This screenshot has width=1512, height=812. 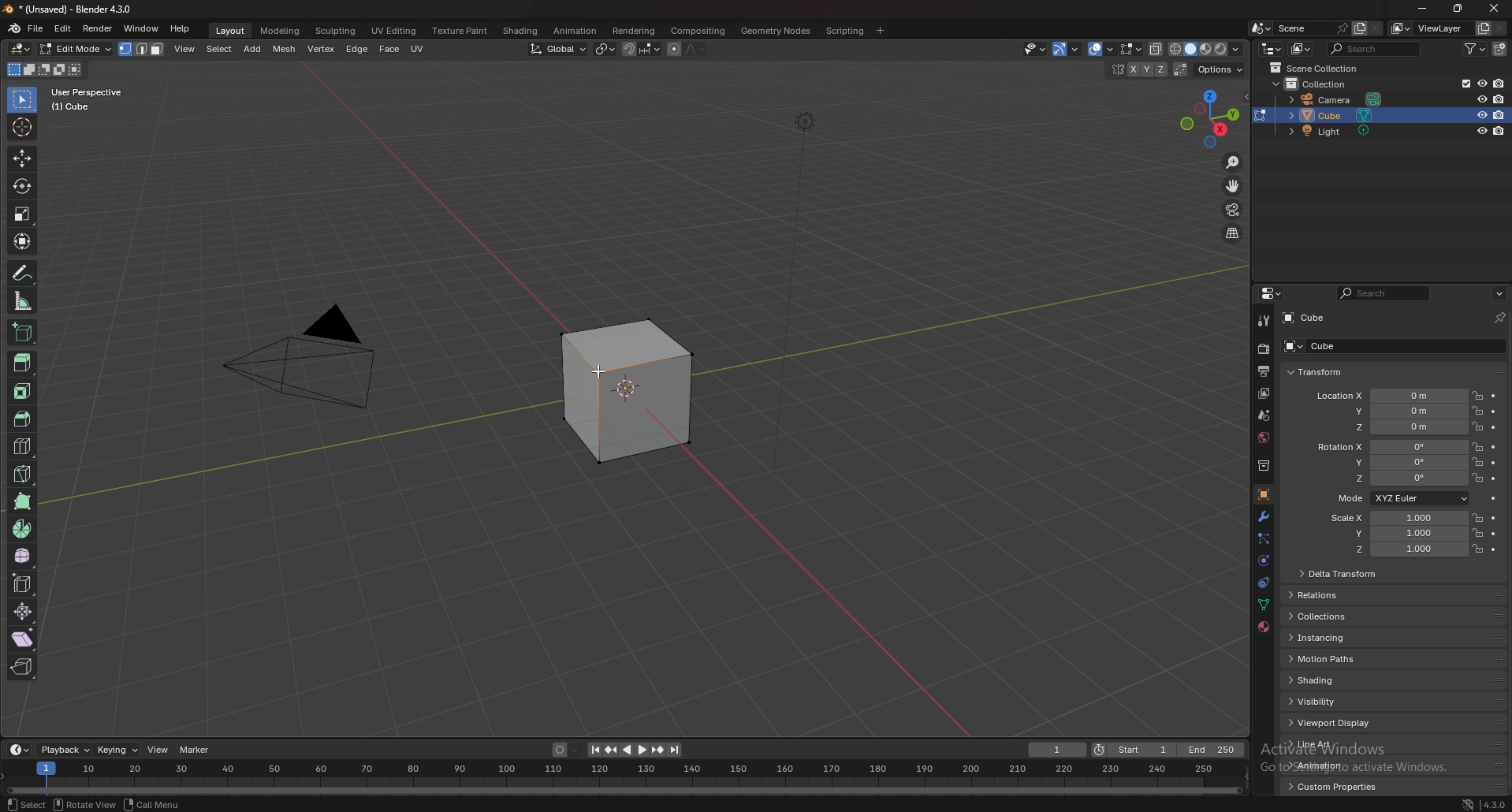 What do you see at coordinates (1481, 130) in the screenshot?
I see `hide in viewport` at bounding box center [1481, 130].